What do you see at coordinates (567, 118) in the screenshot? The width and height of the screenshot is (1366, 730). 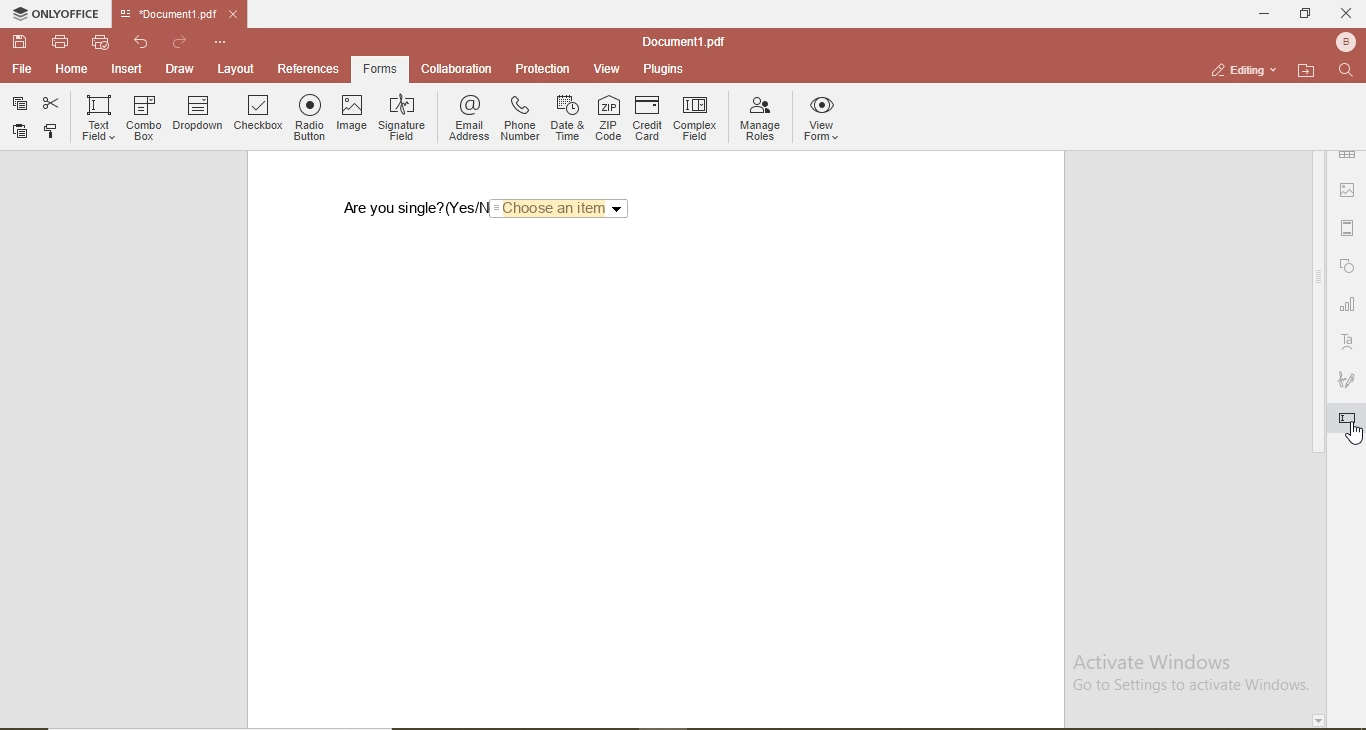 I see `date & time` at bounding box center [567, 118].